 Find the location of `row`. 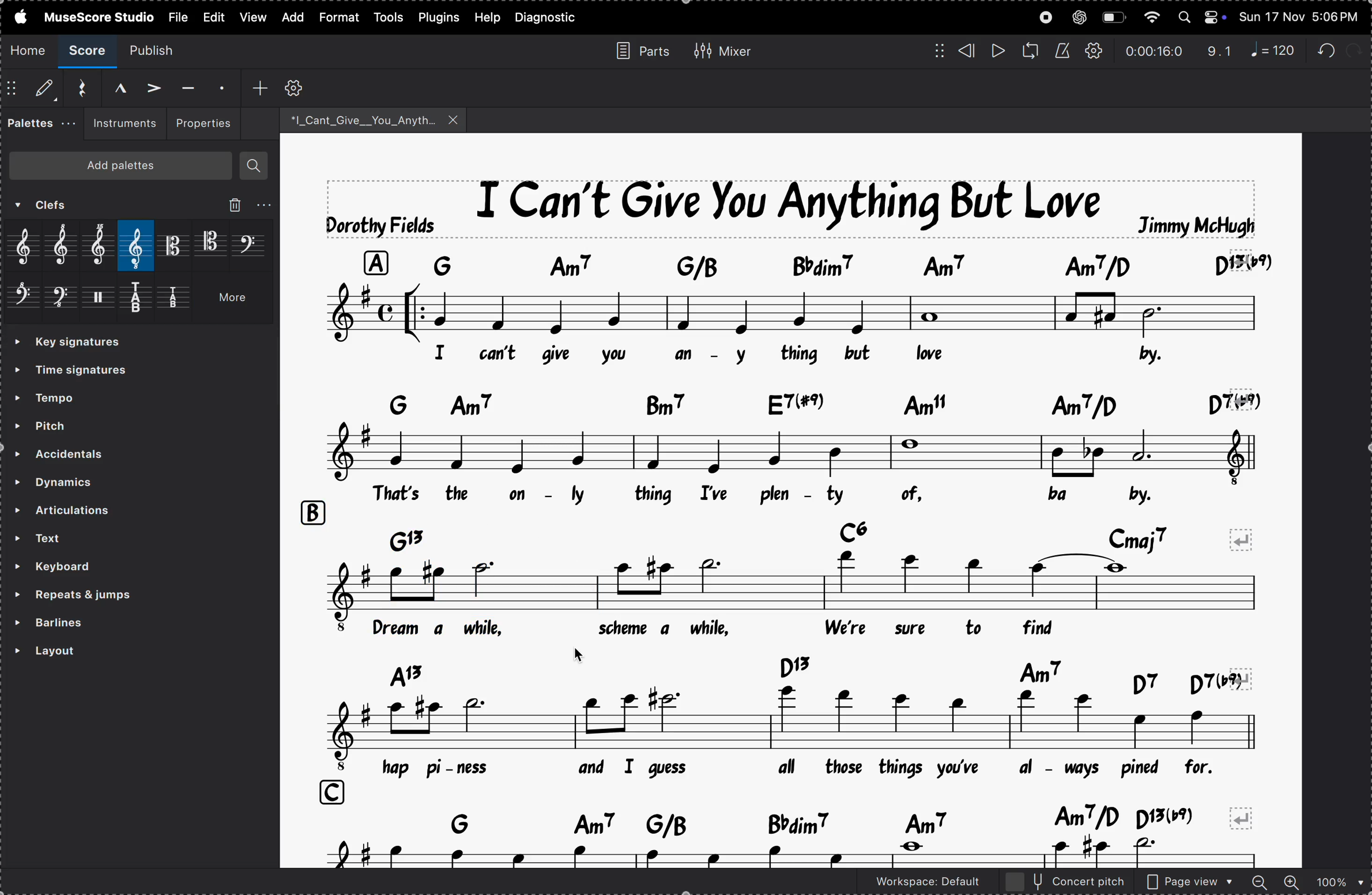

row is located at coordinates (327, 789).